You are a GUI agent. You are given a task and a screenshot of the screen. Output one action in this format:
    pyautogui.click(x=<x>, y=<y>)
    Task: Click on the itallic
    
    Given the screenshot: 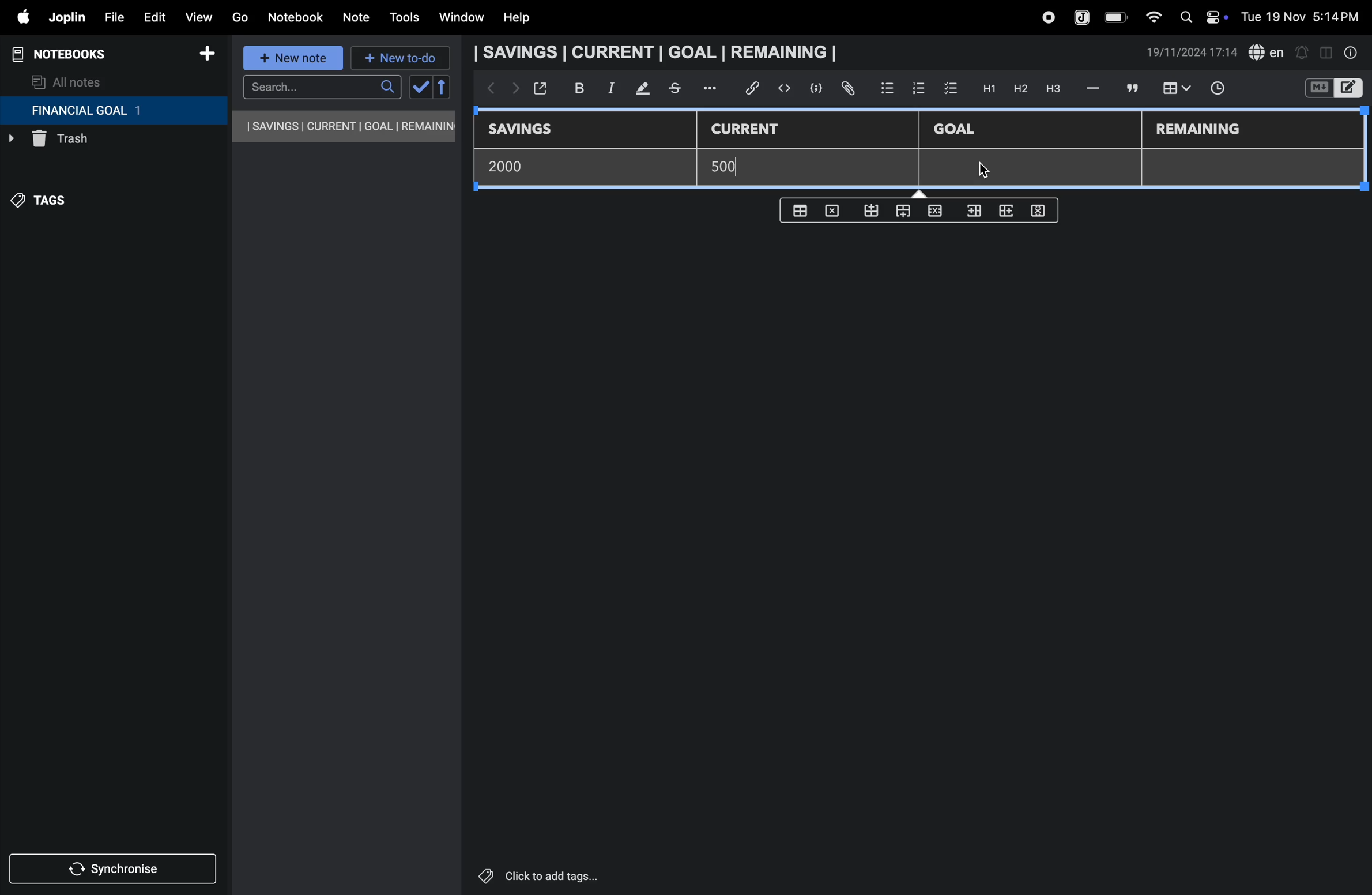 What is the action you would take?
    pyautogui.click(x=609, y=88)
    